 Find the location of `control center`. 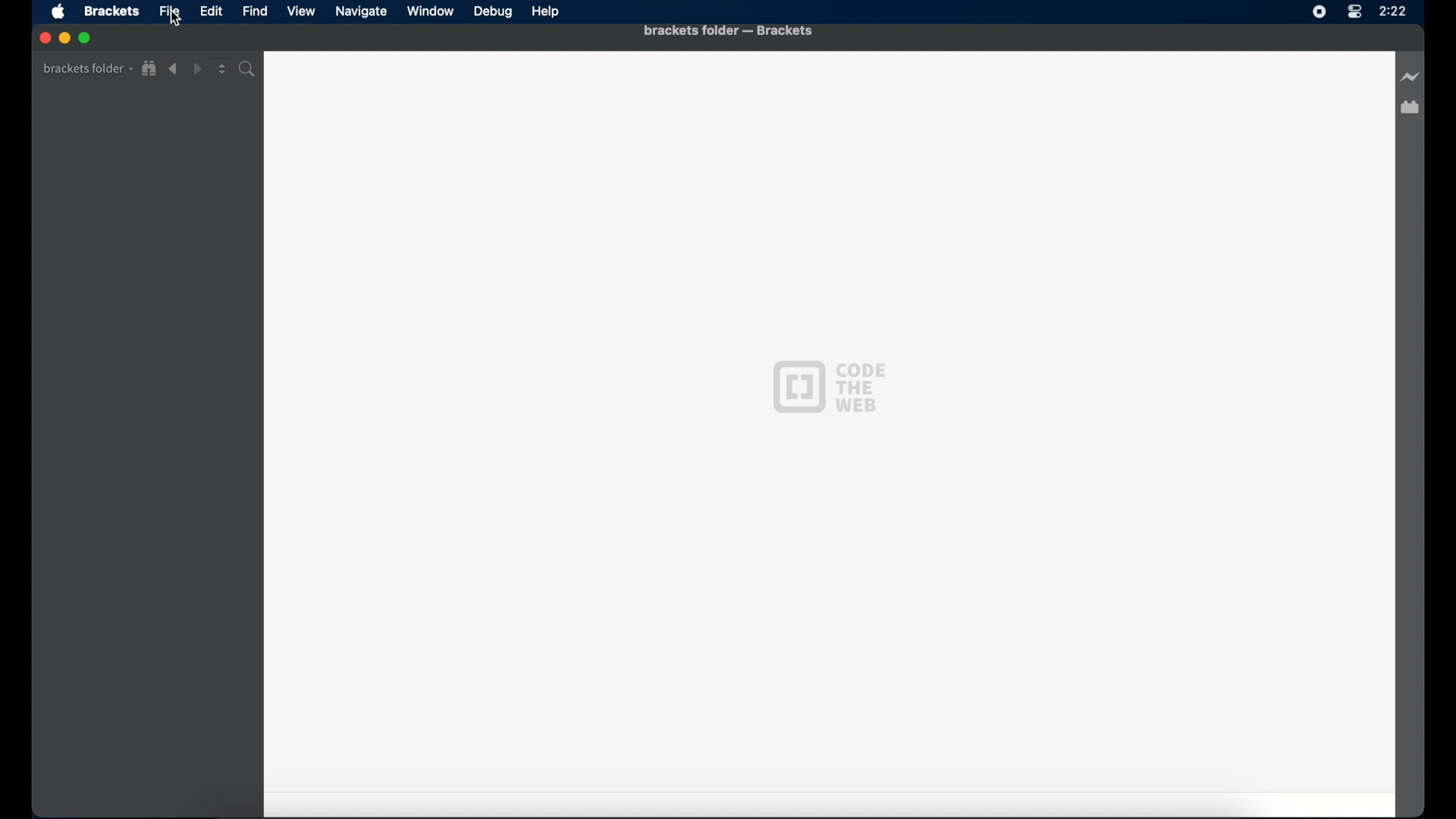

control center is located at coordinates (1354, 12).